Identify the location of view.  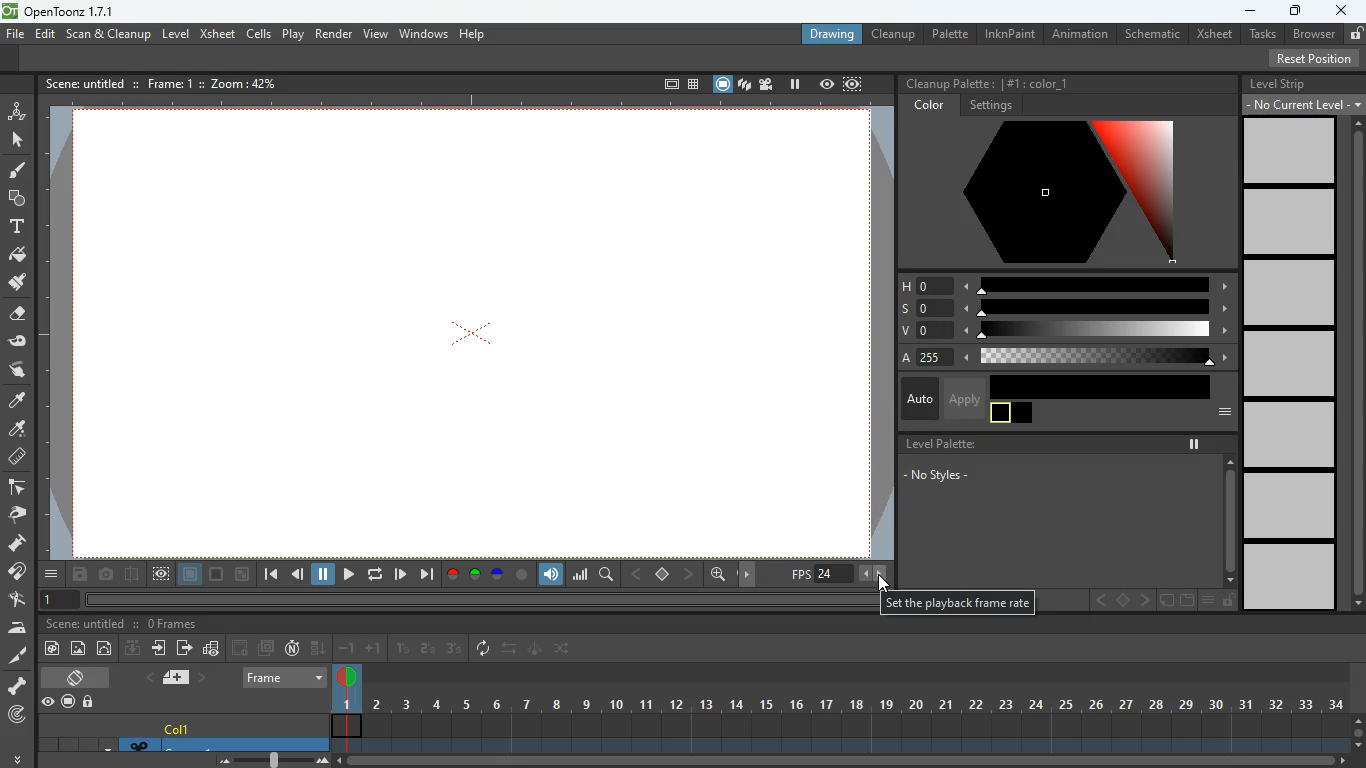
(825, 83).